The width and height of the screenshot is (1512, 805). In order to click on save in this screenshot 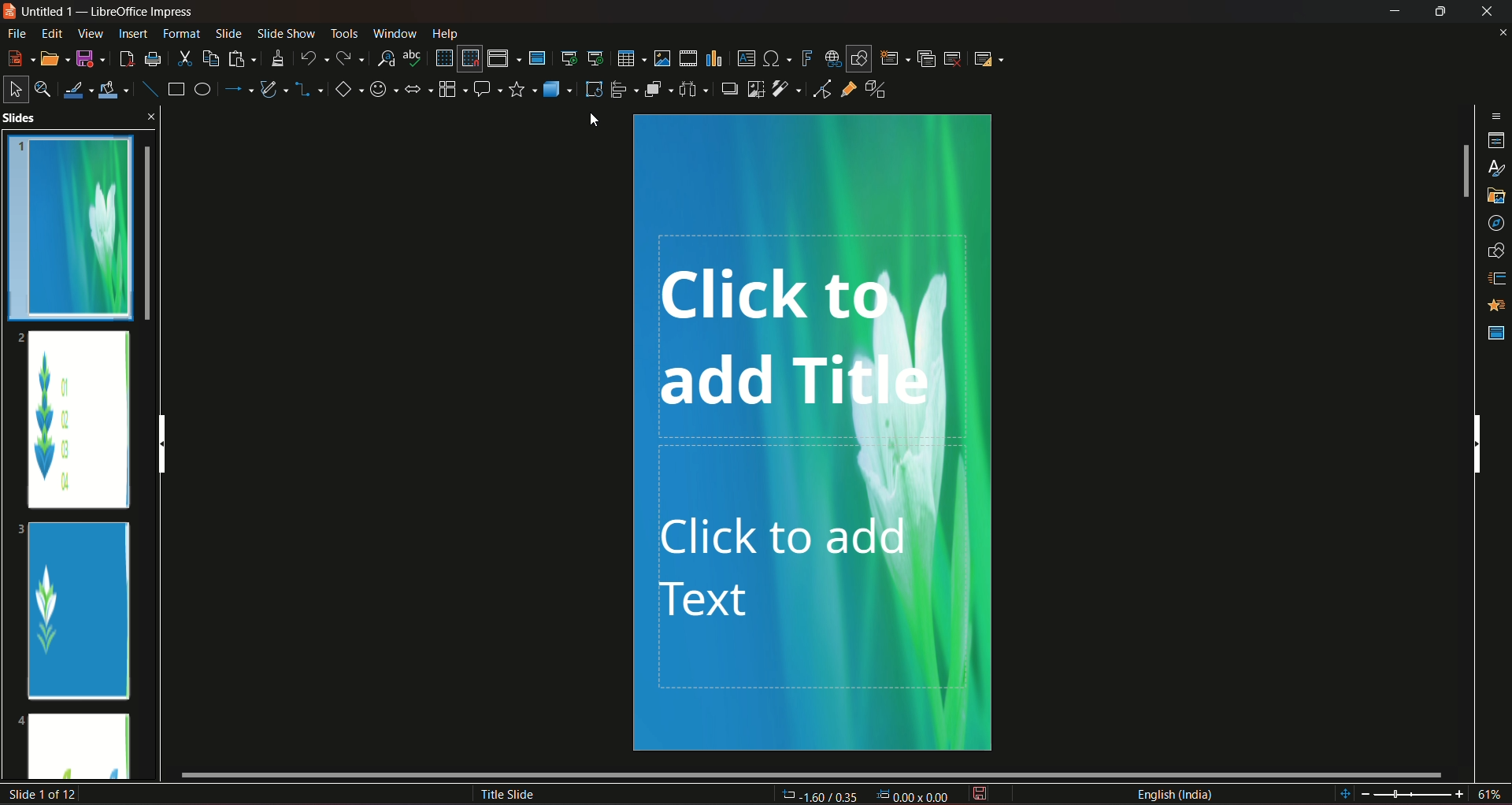, I will do `click(980, 793)`.